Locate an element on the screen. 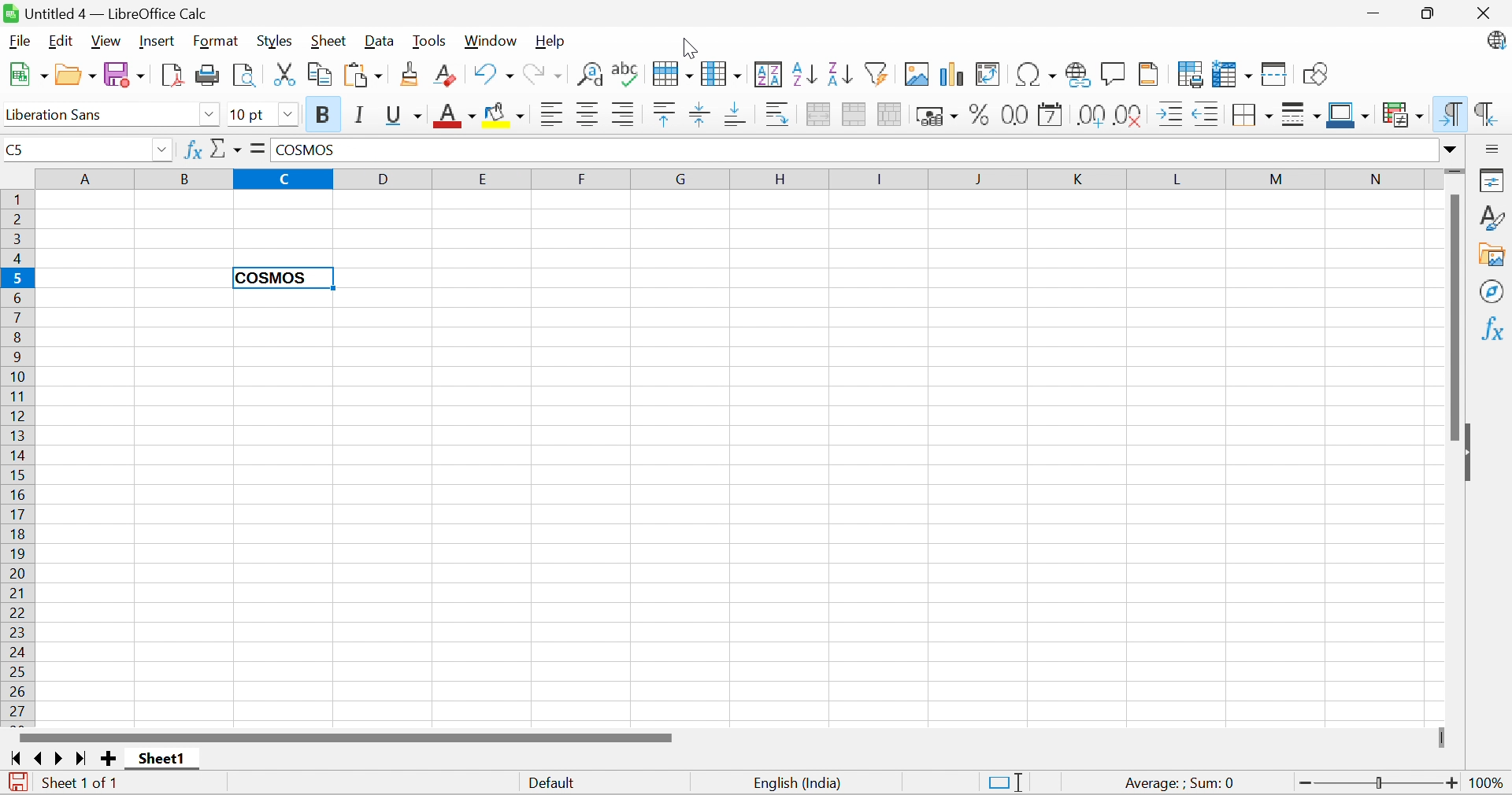  Align Top is located at coordinates (665, 115).